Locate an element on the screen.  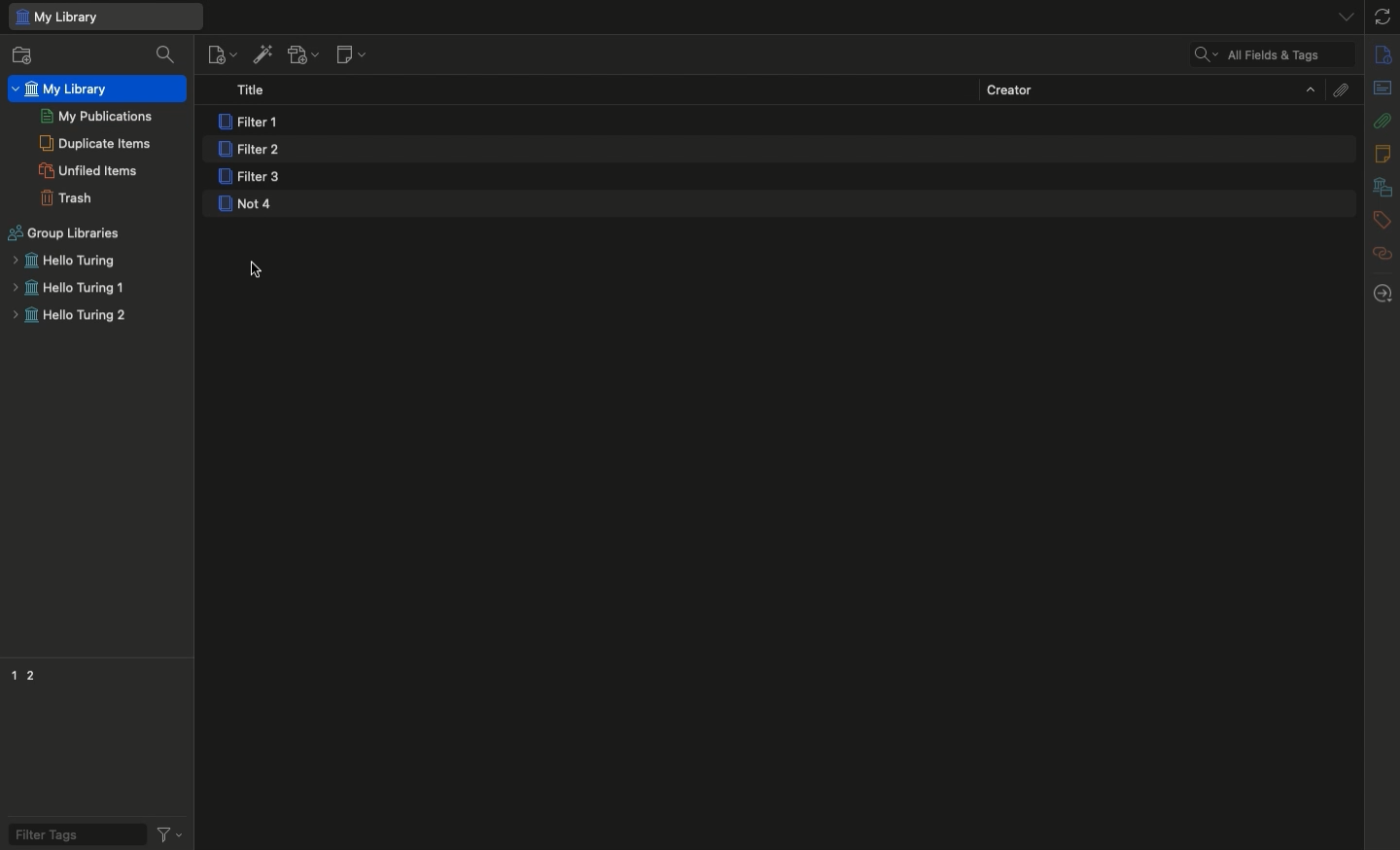
cursor is located at coordinates (262, 275).